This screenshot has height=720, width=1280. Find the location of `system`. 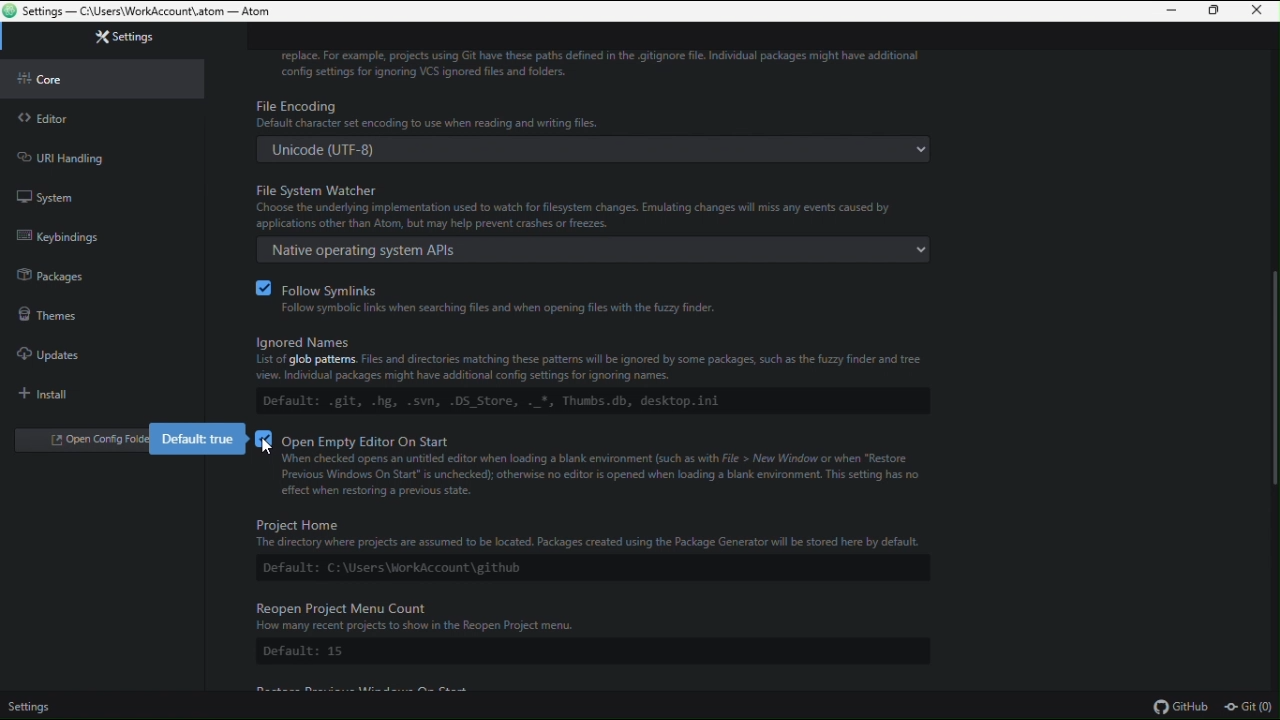

system is located at coordinates (66, 196).